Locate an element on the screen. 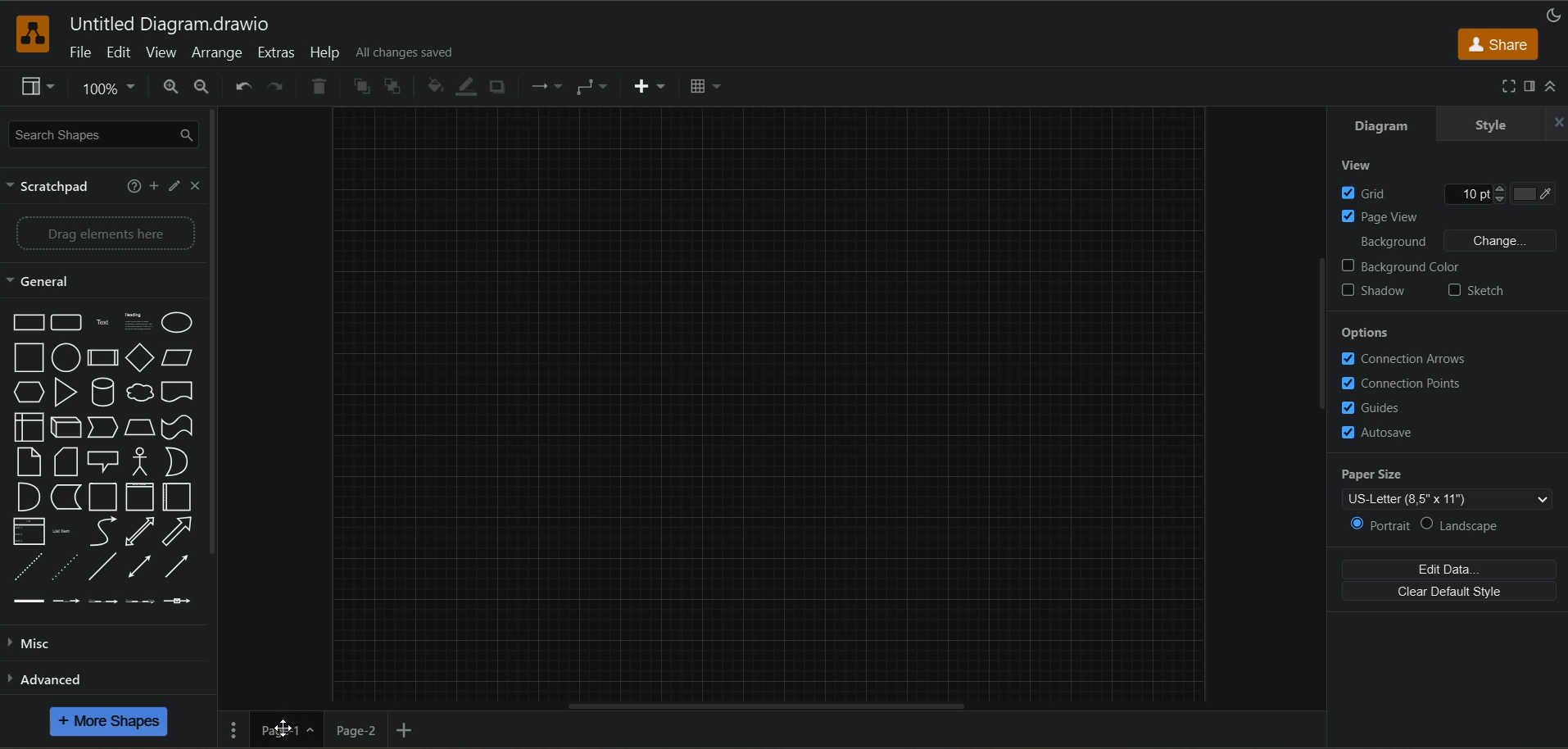  page 1 is located at coordinates (283, 730).